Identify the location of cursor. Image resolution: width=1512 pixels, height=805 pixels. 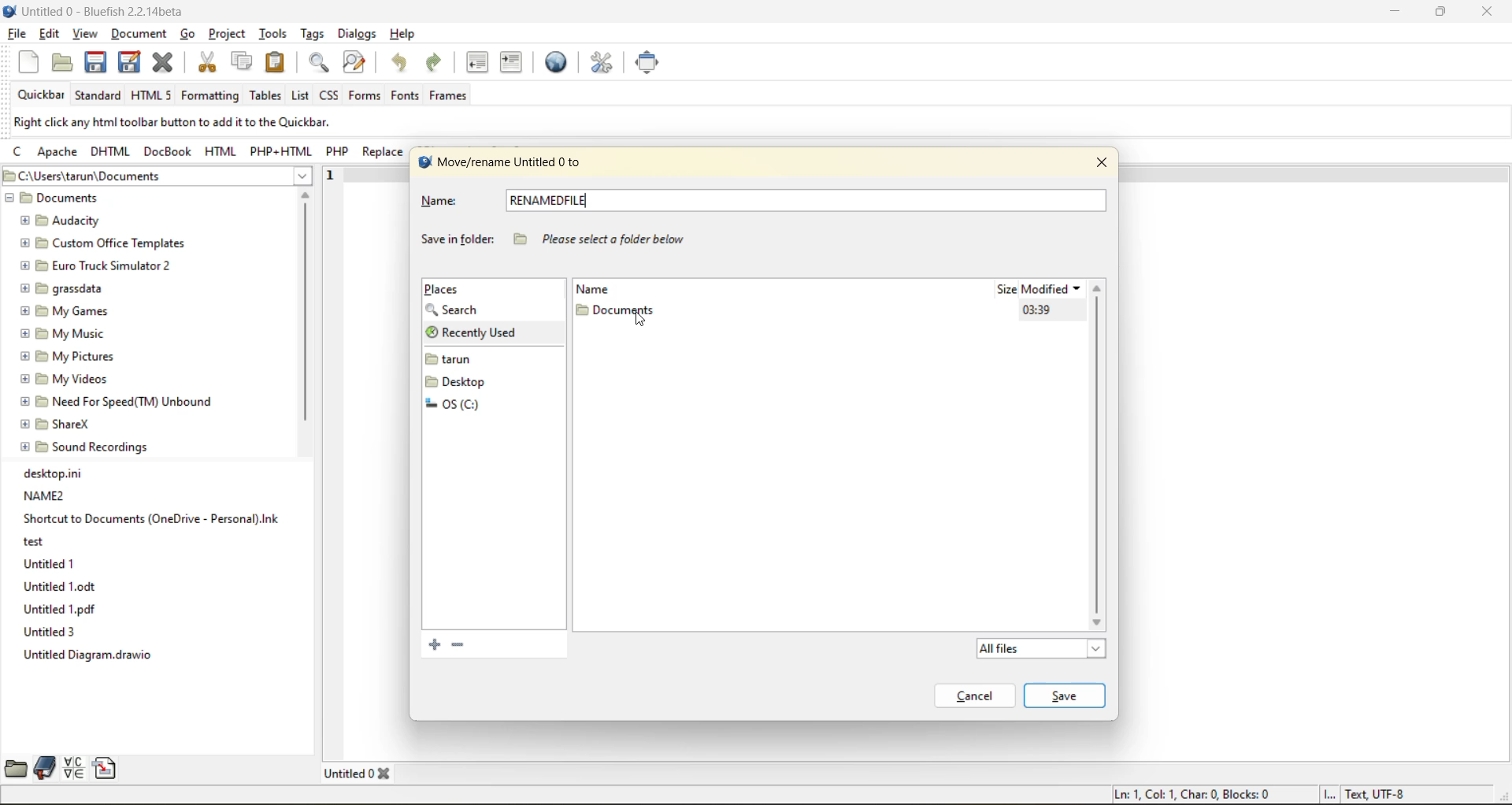
(646, 323).